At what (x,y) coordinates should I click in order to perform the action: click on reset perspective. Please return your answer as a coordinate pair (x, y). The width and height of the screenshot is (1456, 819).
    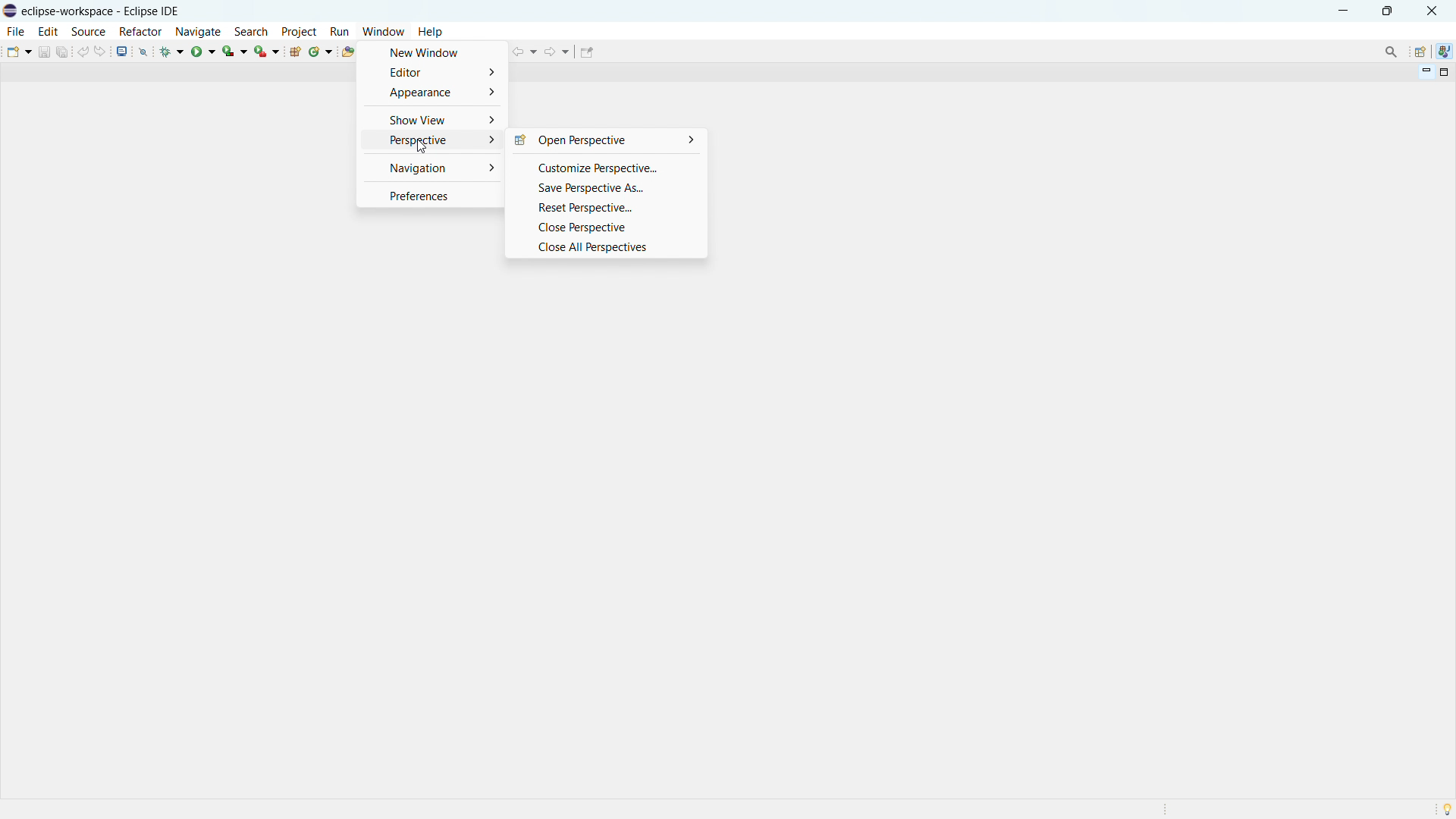
    Looking at the image, I should click on (606, 207).